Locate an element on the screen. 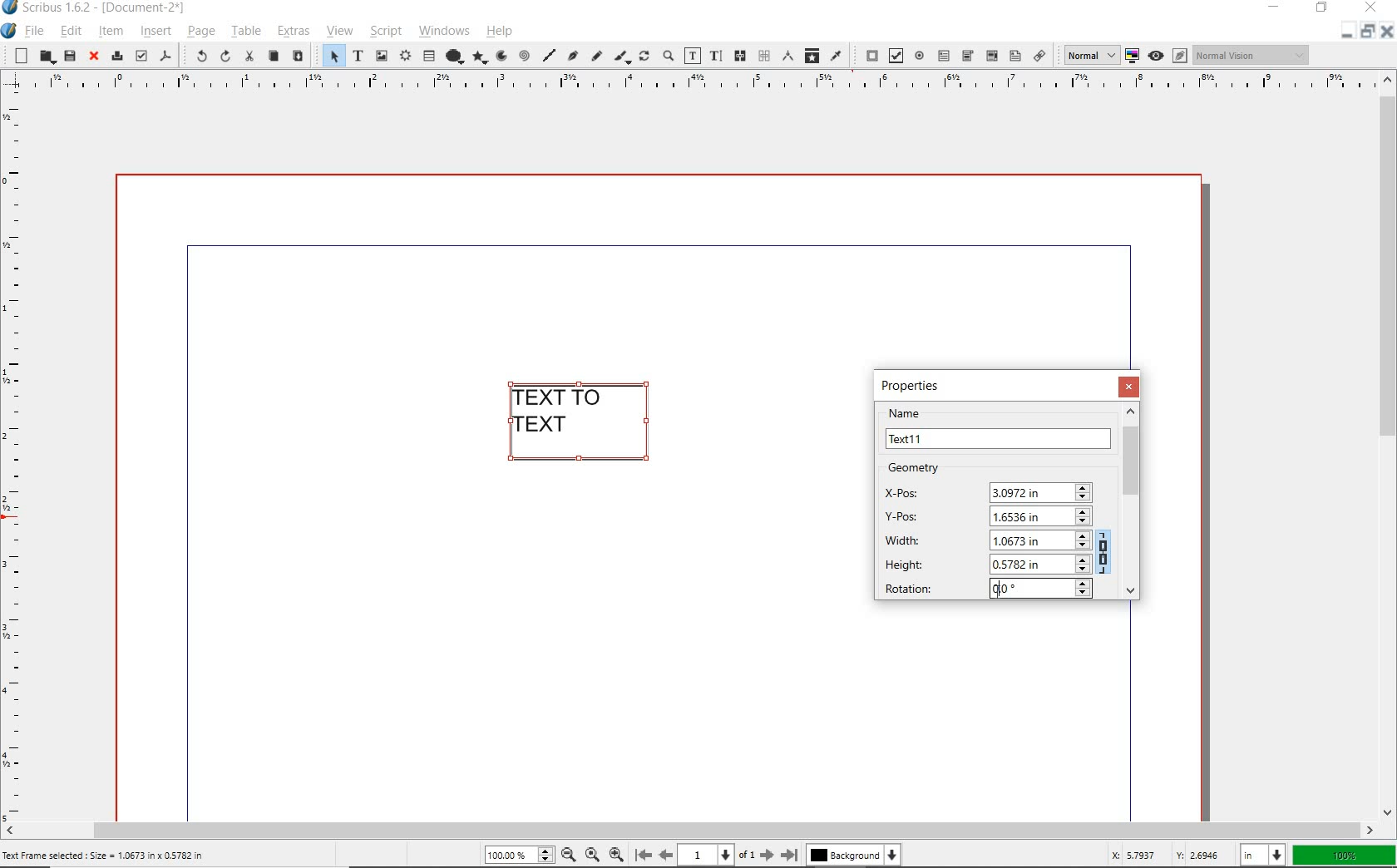 Image resolution: width=1397 pixels, height=868 pixels. close is located at coordinates (1388, 36).